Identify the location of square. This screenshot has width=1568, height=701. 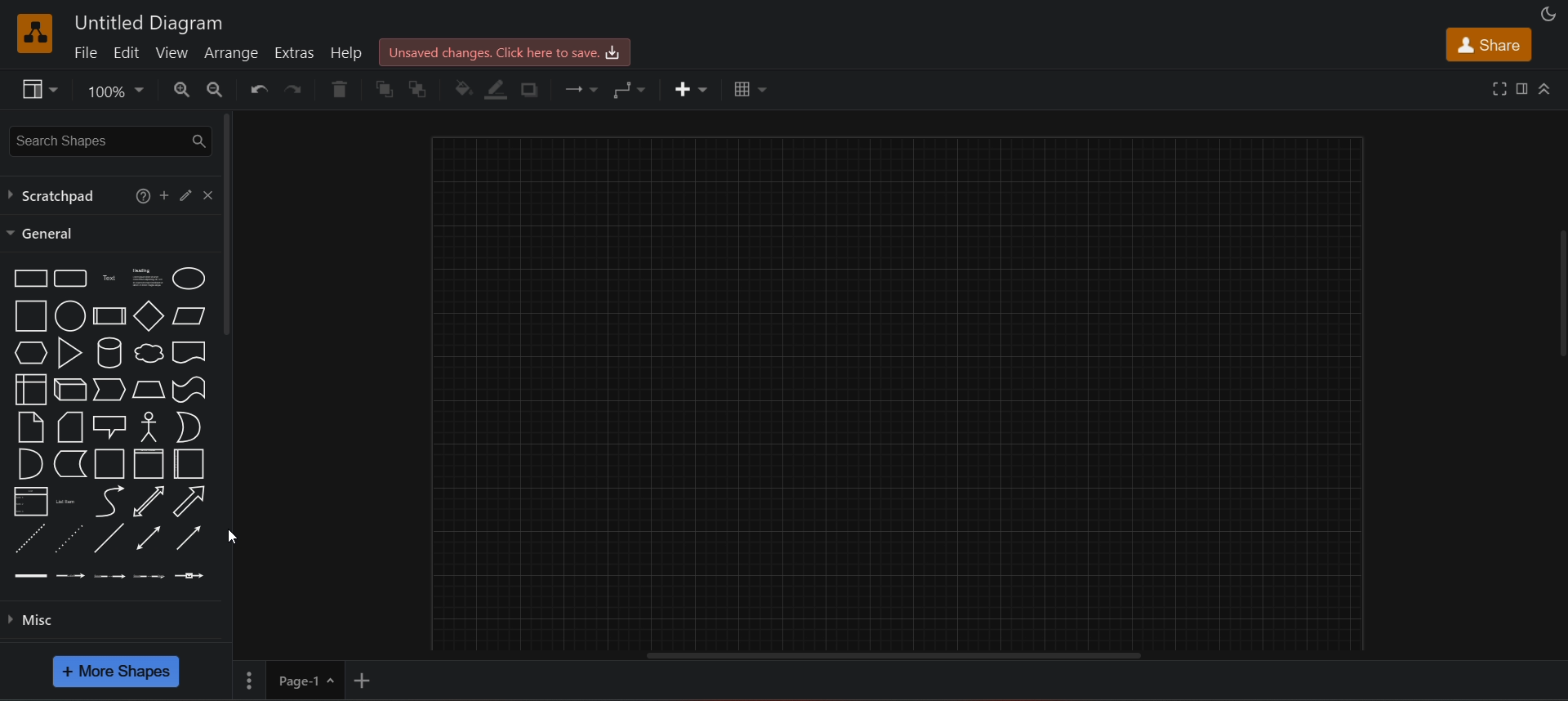
(30, 316).